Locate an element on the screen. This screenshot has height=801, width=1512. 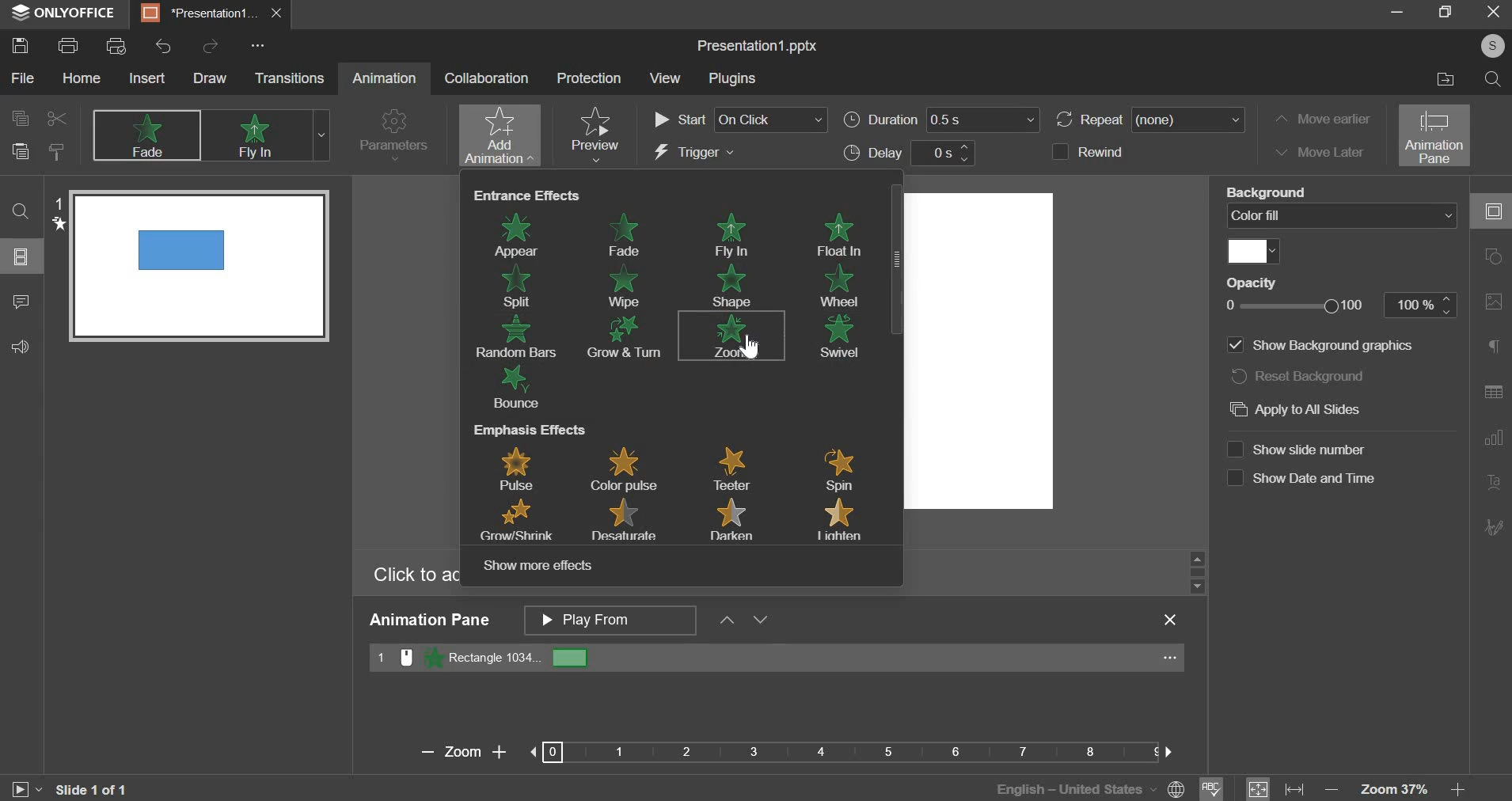
spell check is located at coordinates (1217, 786).